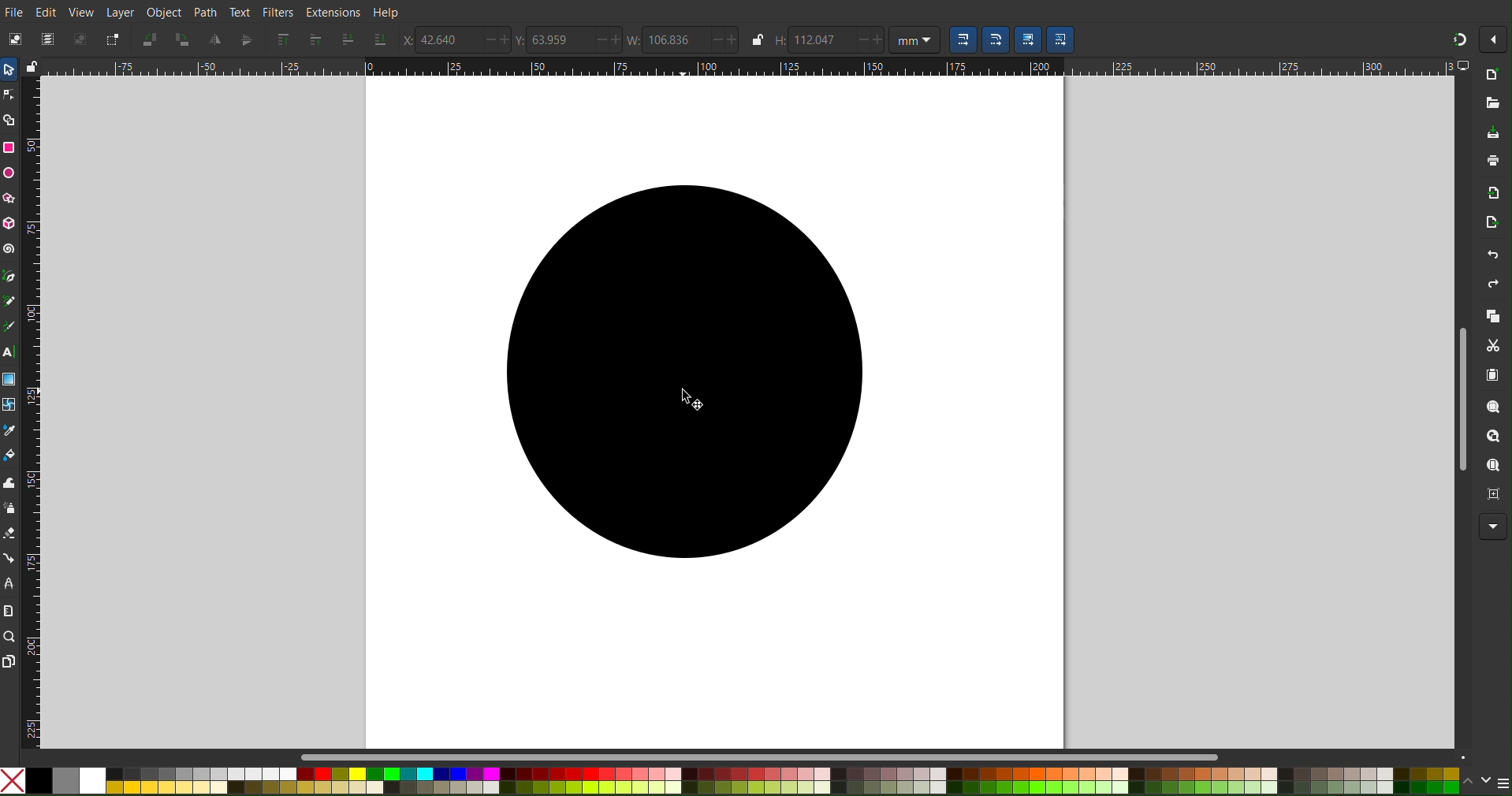 This screenshot has height=796, width=1512. I want to click on View, so click(83, 9).